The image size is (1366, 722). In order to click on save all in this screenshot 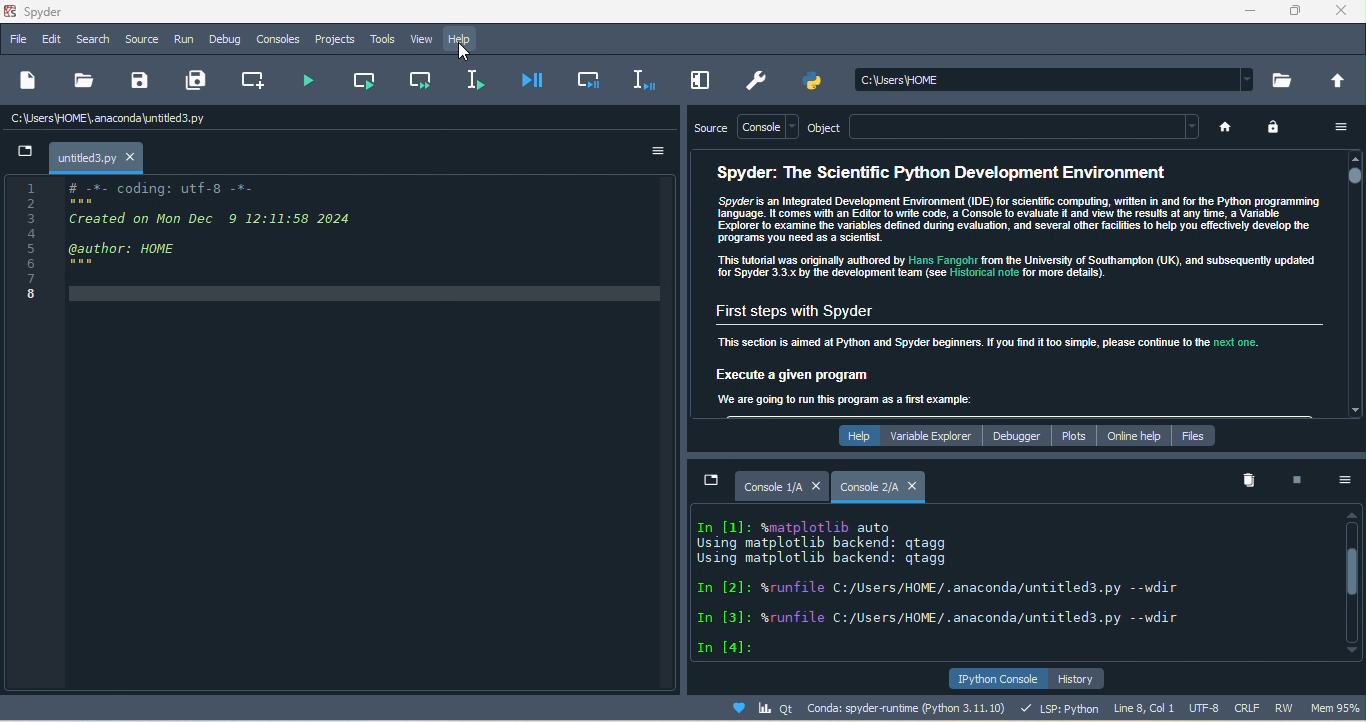, I will do `click(202, 81)`.